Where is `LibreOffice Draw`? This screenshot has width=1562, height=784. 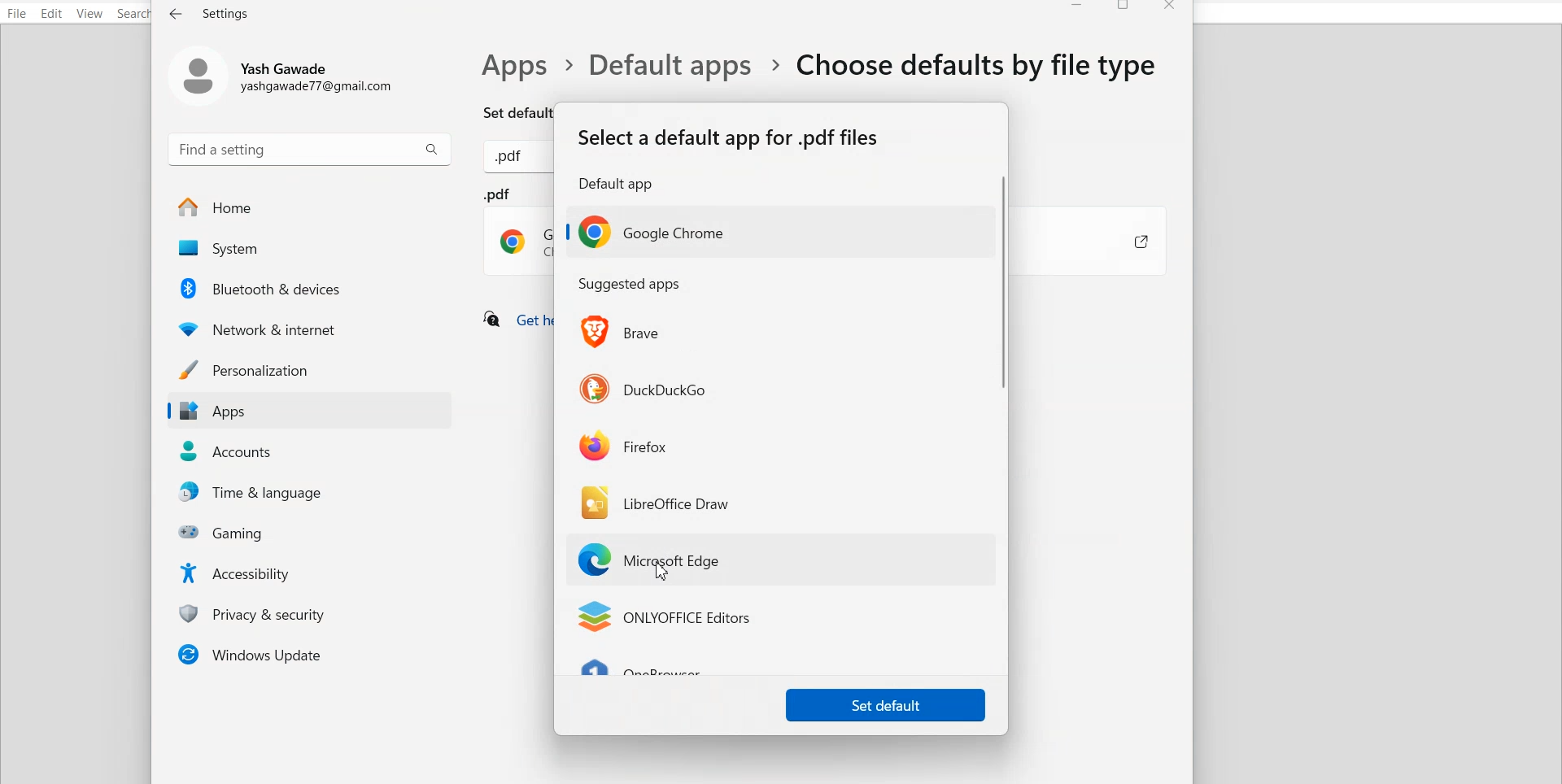 LibreOffice Draw is located at coordinates (658, 501).